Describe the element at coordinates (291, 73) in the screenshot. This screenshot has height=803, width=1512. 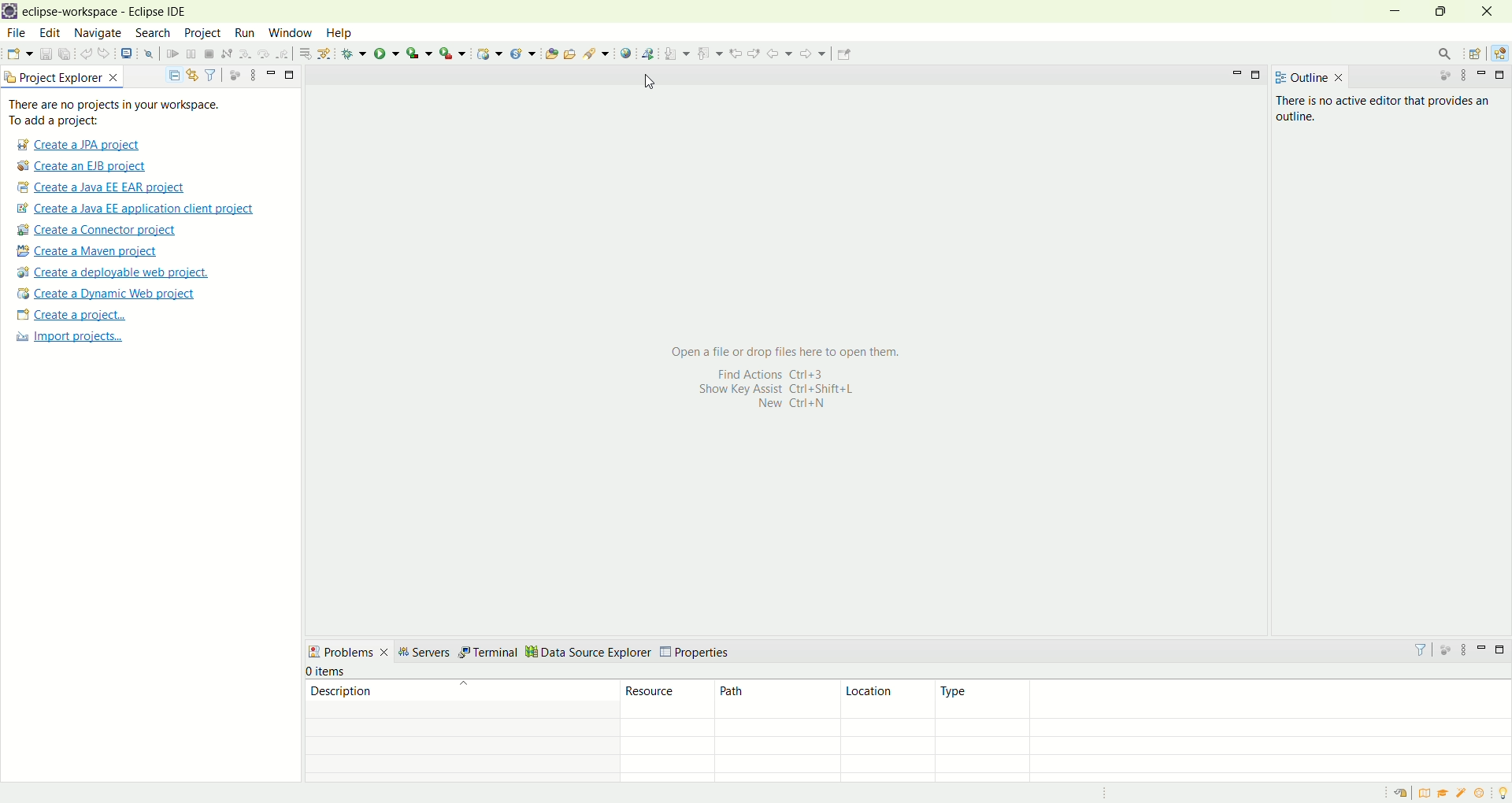
I see `maximize` at that location.